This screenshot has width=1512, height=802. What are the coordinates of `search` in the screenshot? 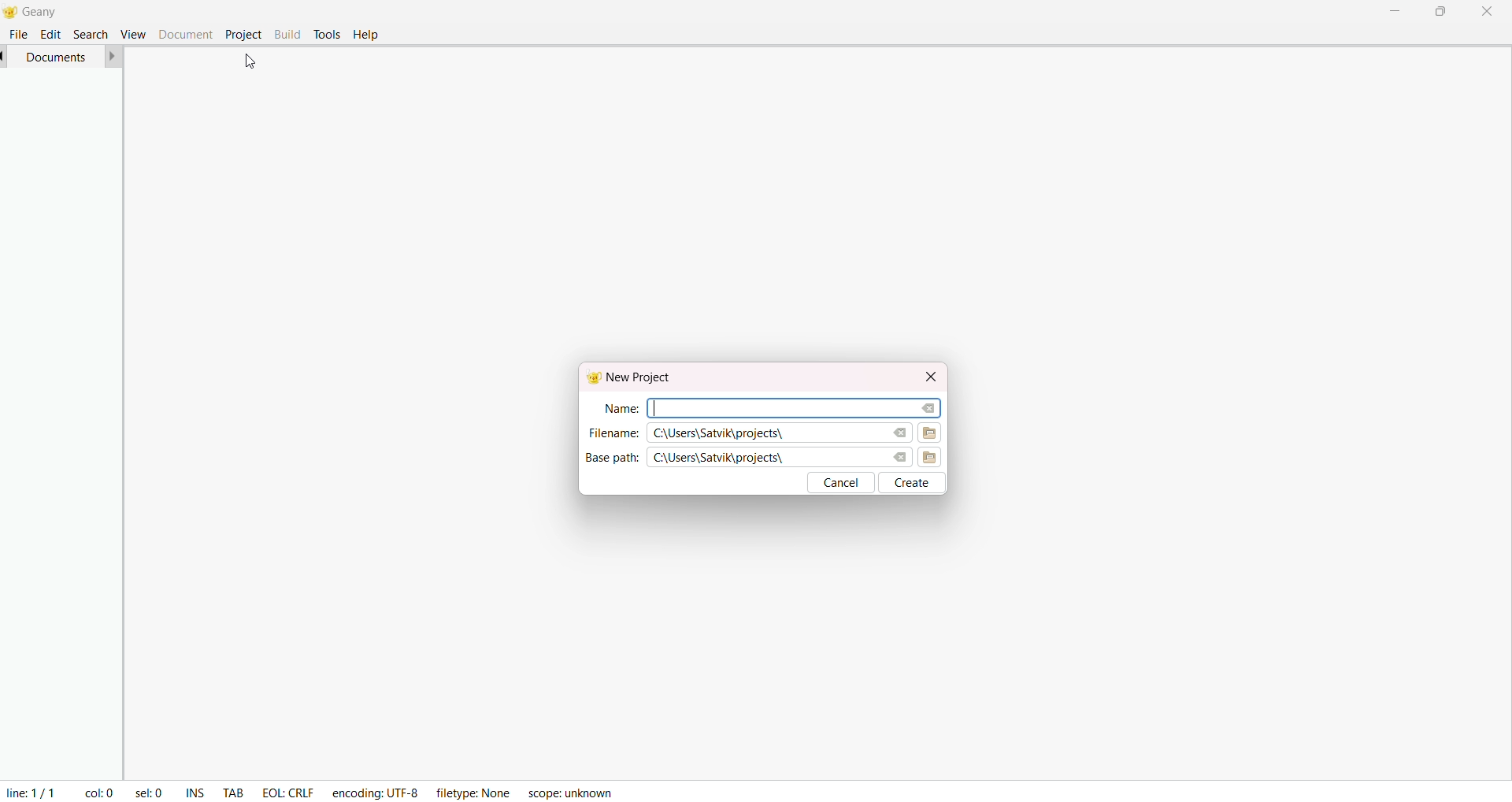 It's located at (89, 33).